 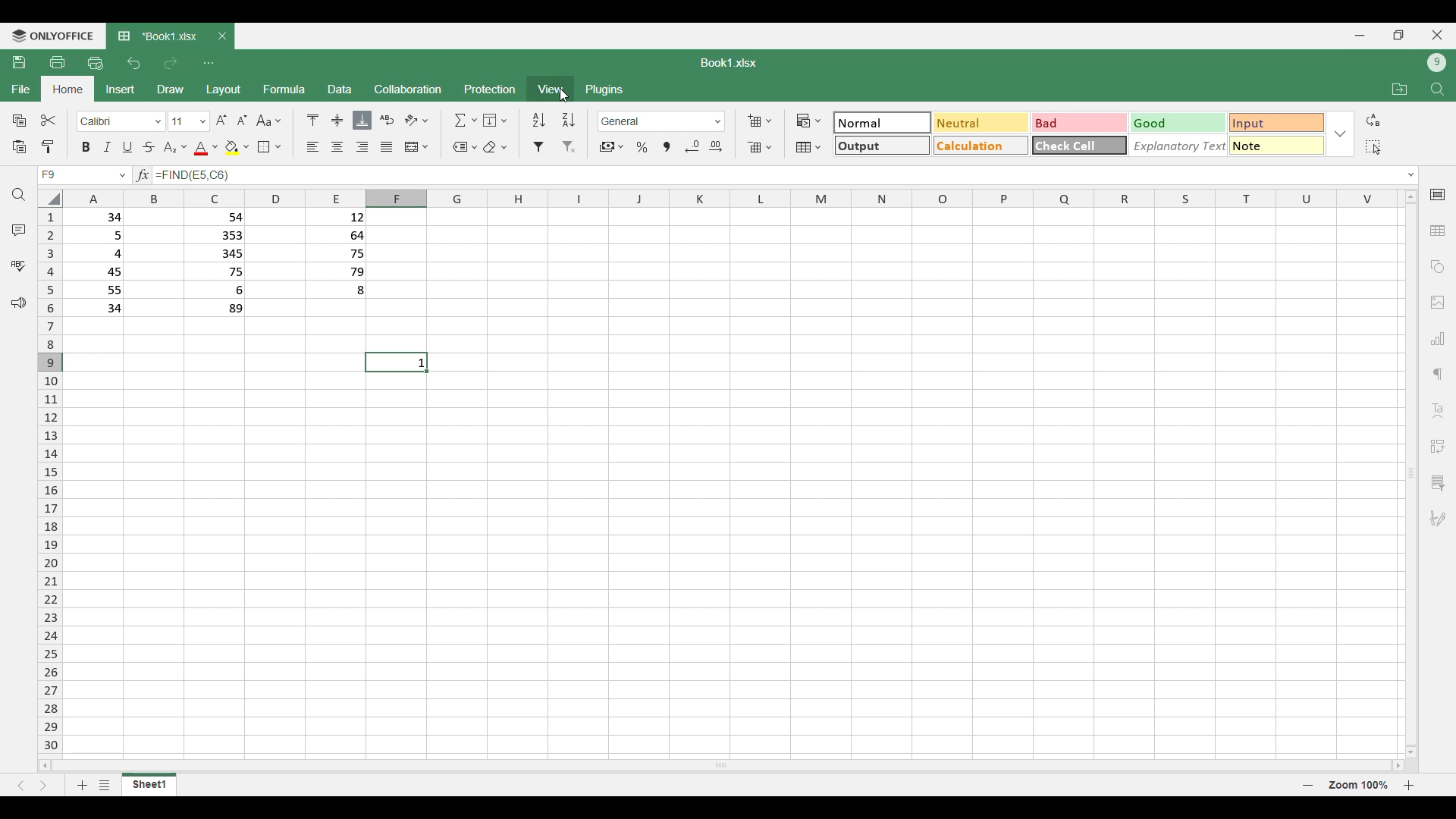 What do you see at coordinates (1438, 375) in the screenshot?
I see `Paragraph settings` at bounding box center [1438, 375].